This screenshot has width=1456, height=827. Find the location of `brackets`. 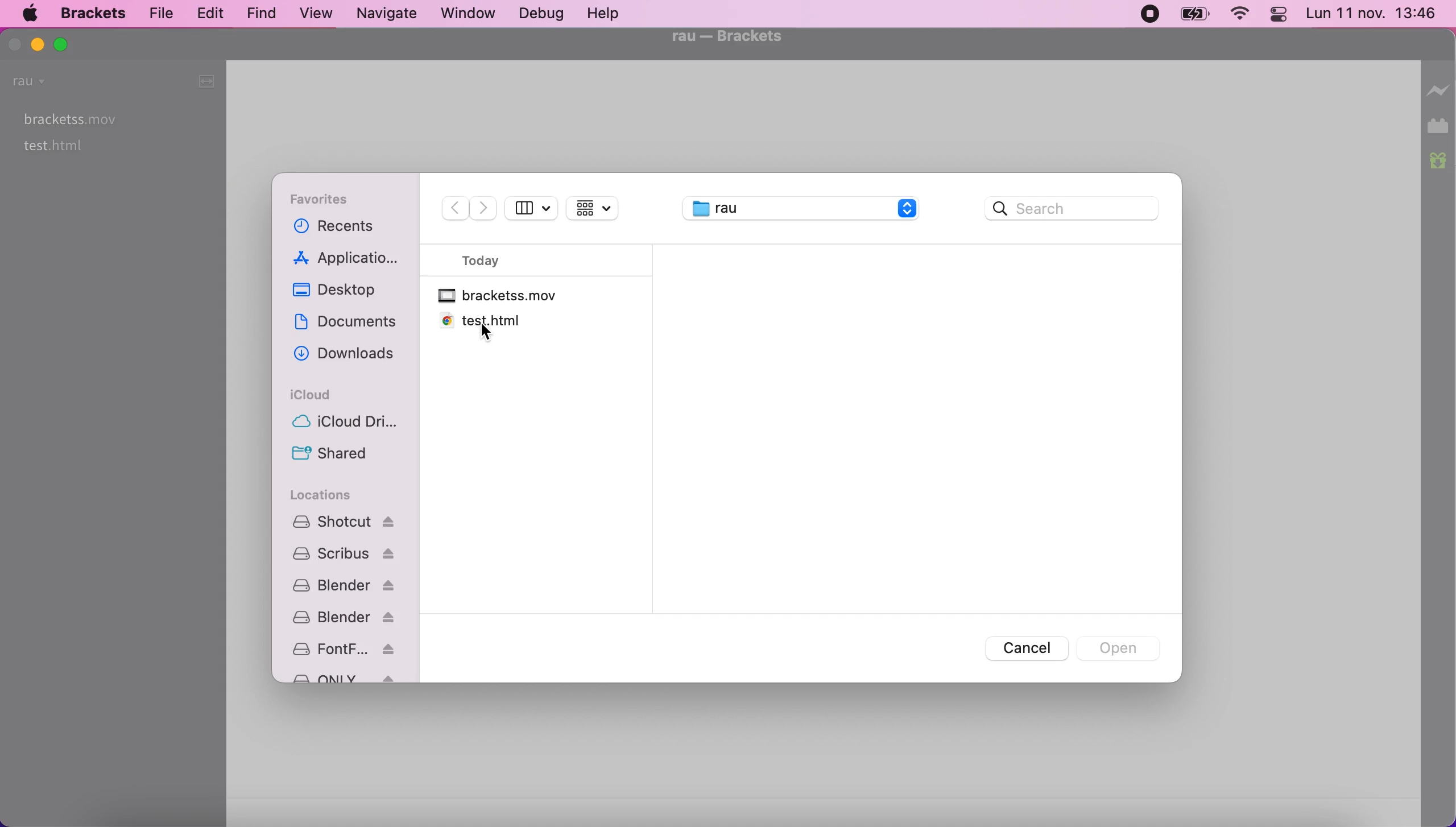

brackets is located at coordinates (93, 13).